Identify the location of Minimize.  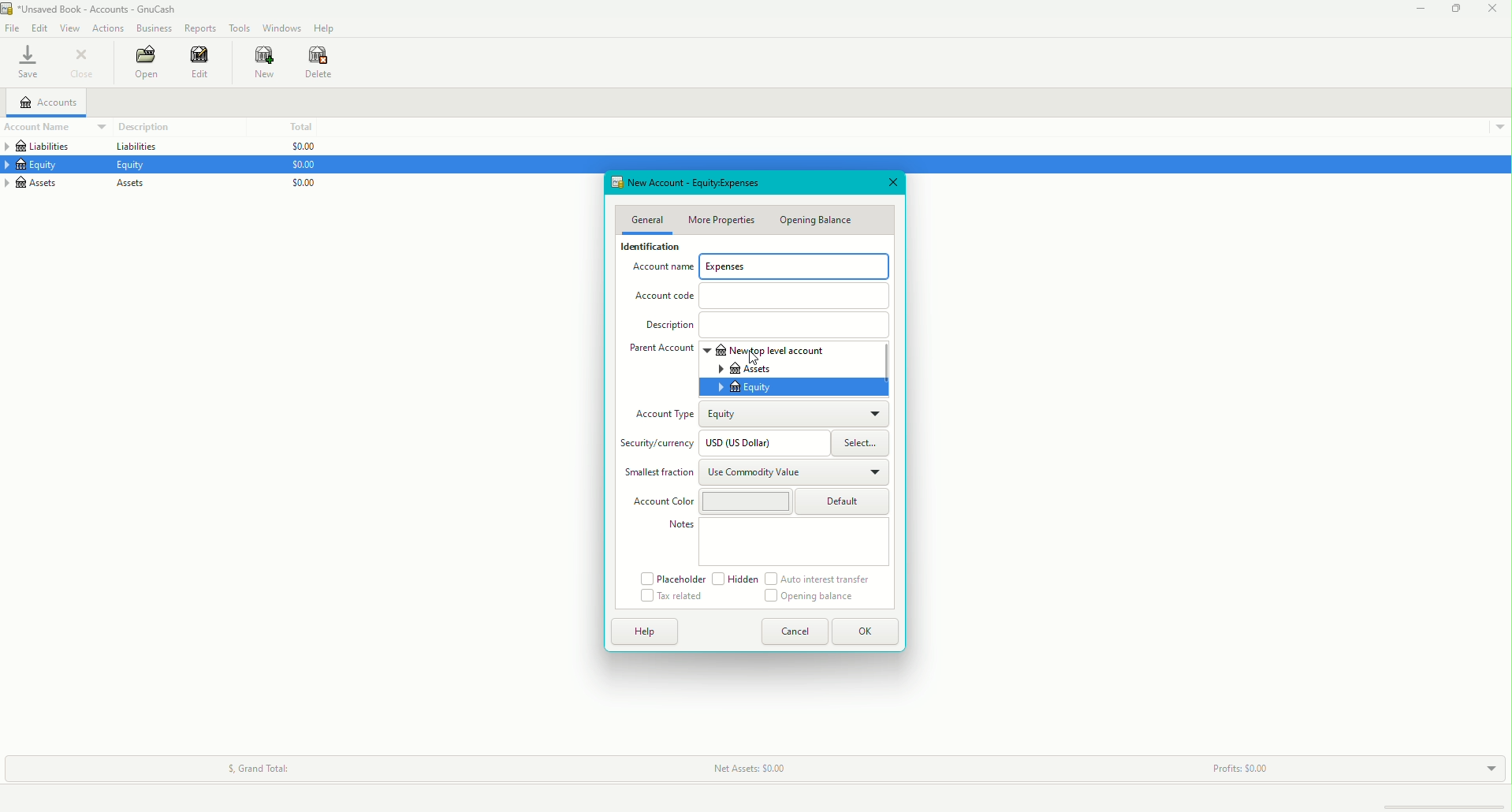
(1417, 9).